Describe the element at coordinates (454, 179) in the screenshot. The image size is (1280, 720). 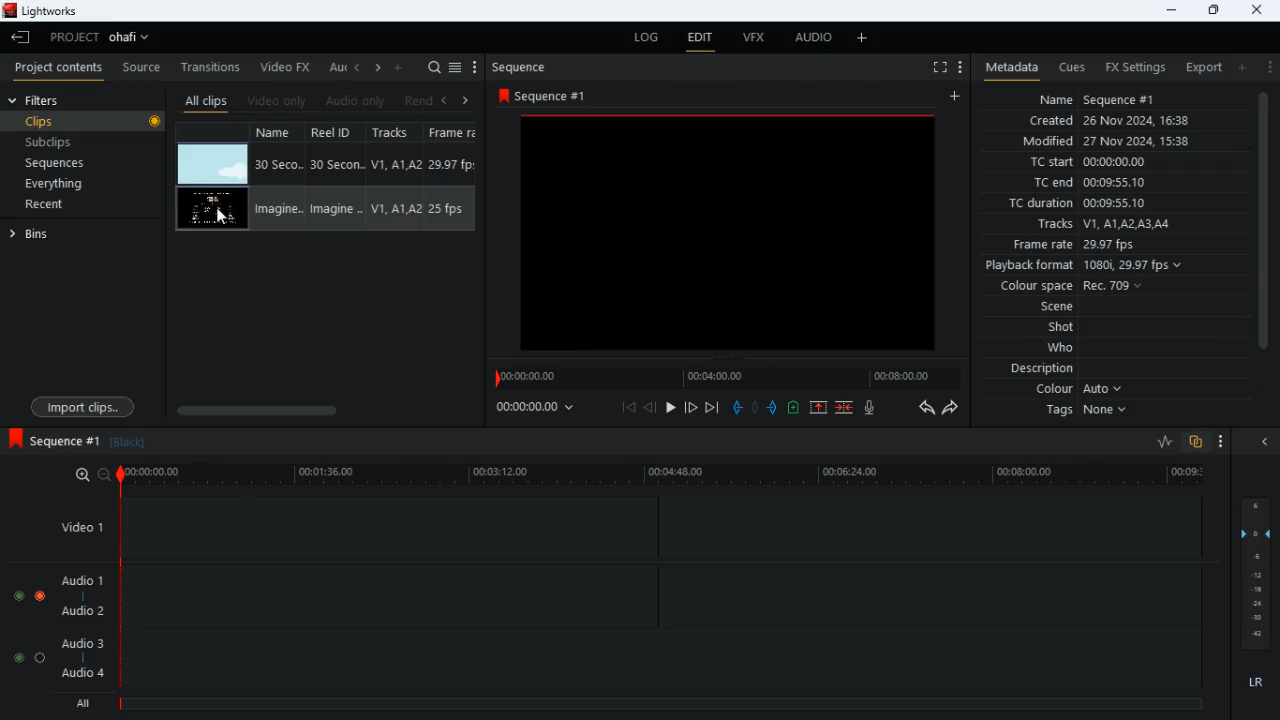
I see `frame` at that location.